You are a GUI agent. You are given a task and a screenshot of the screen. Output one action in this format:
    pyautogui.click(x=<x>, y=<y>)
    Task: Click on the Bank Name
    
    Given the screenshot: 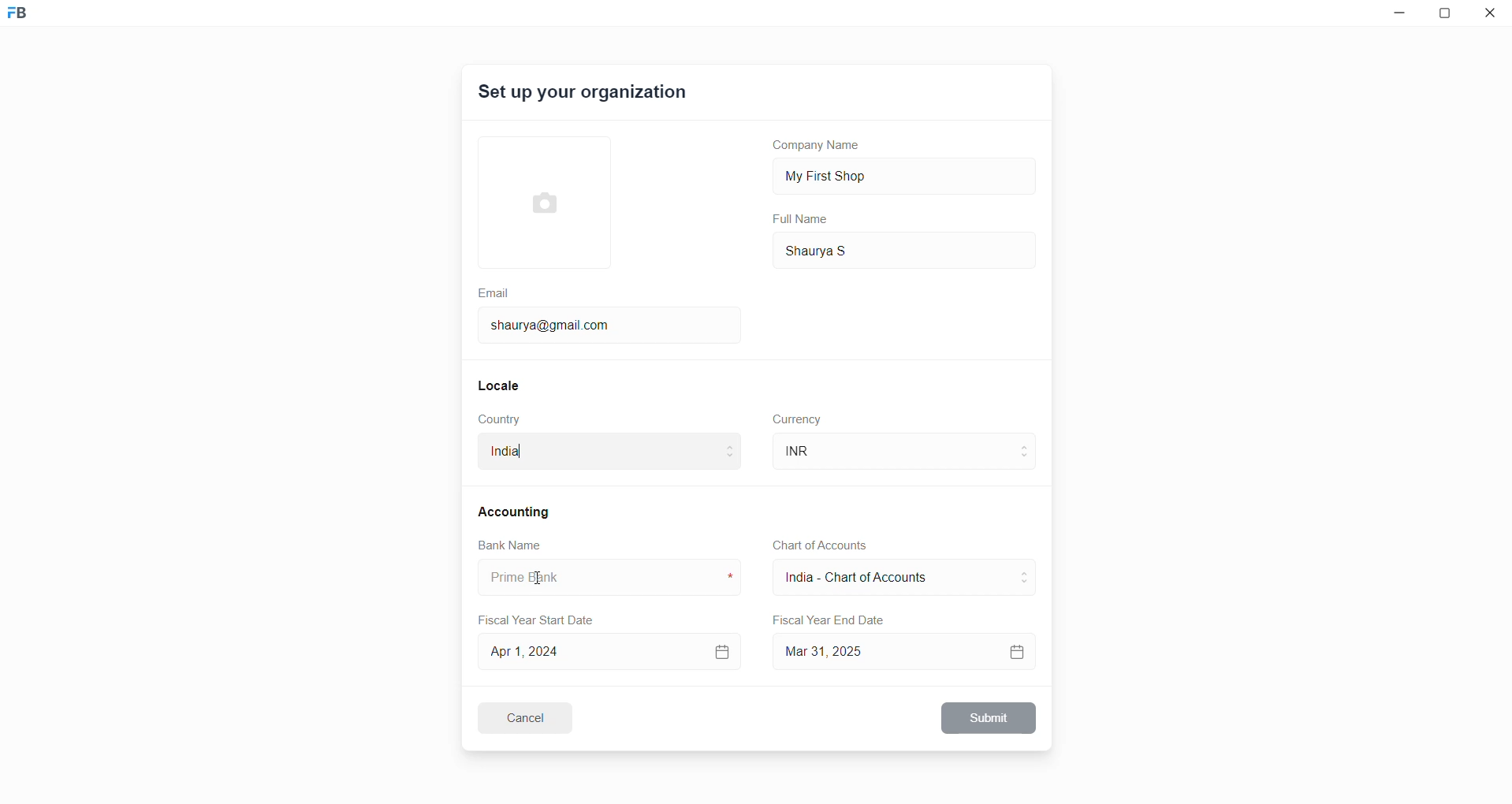 What is the action you would take?
    pyautogui.click(x=510, y=547)
    